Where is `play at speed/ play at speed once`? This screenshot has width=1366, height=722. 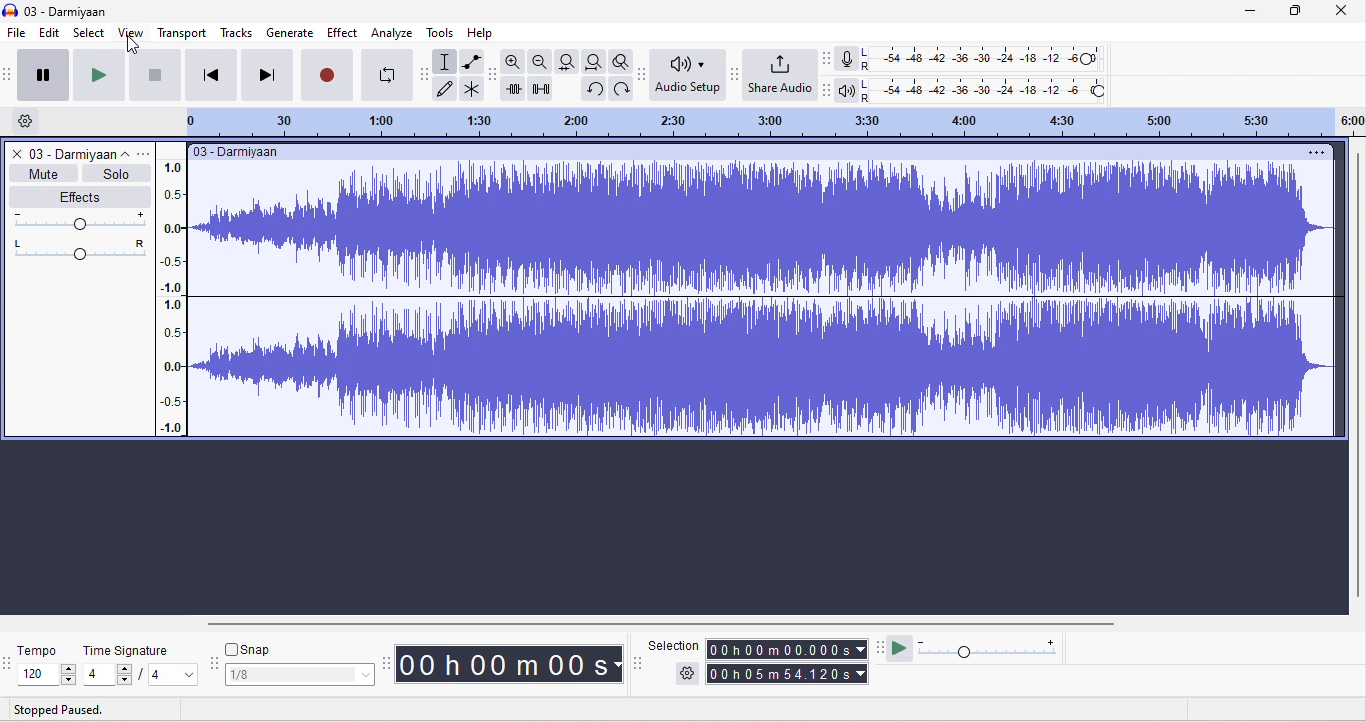
play at speed/ play at speed once is located at coordinates (901, 647).